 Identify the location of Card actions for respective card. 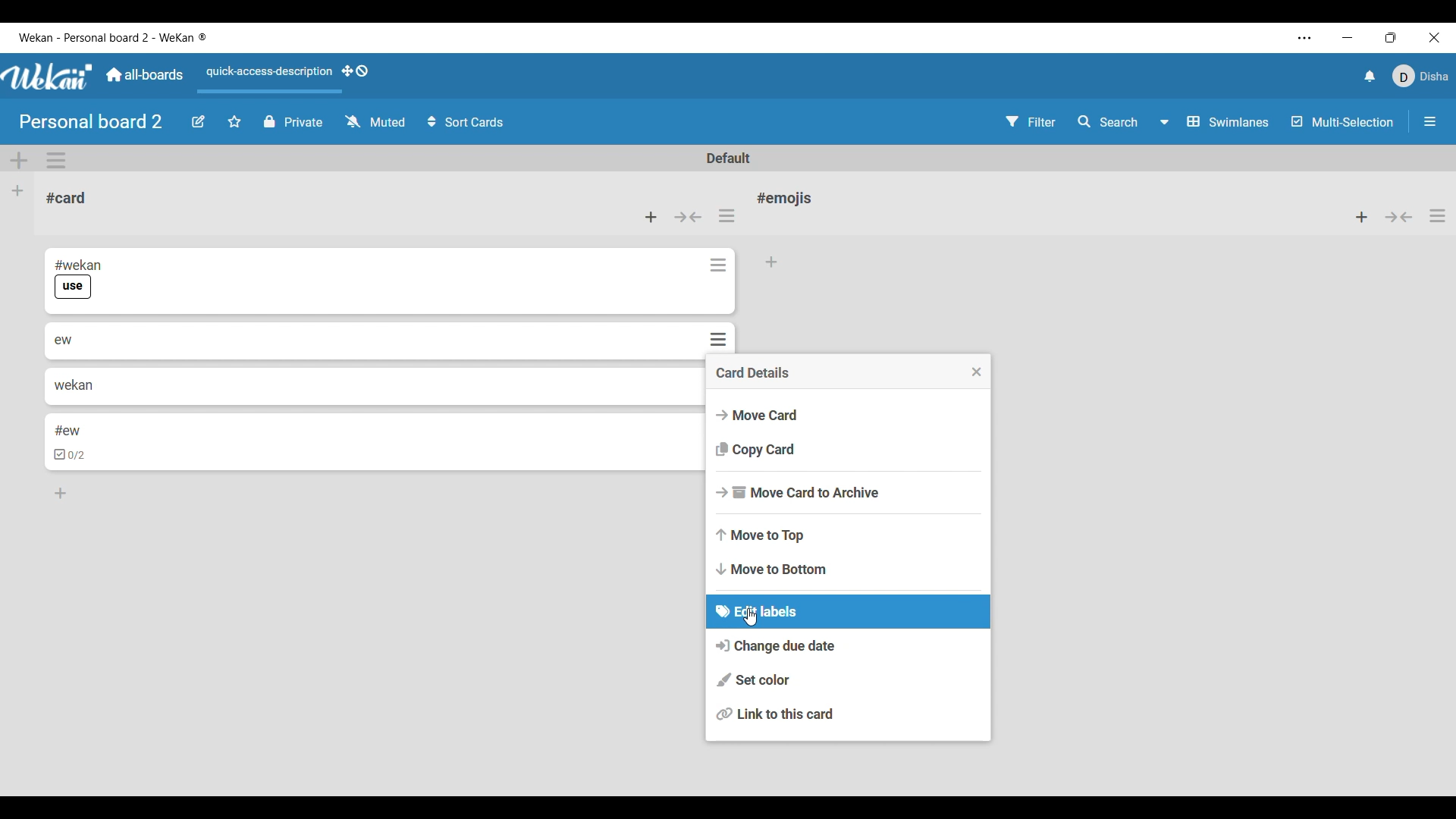
(720, 265).